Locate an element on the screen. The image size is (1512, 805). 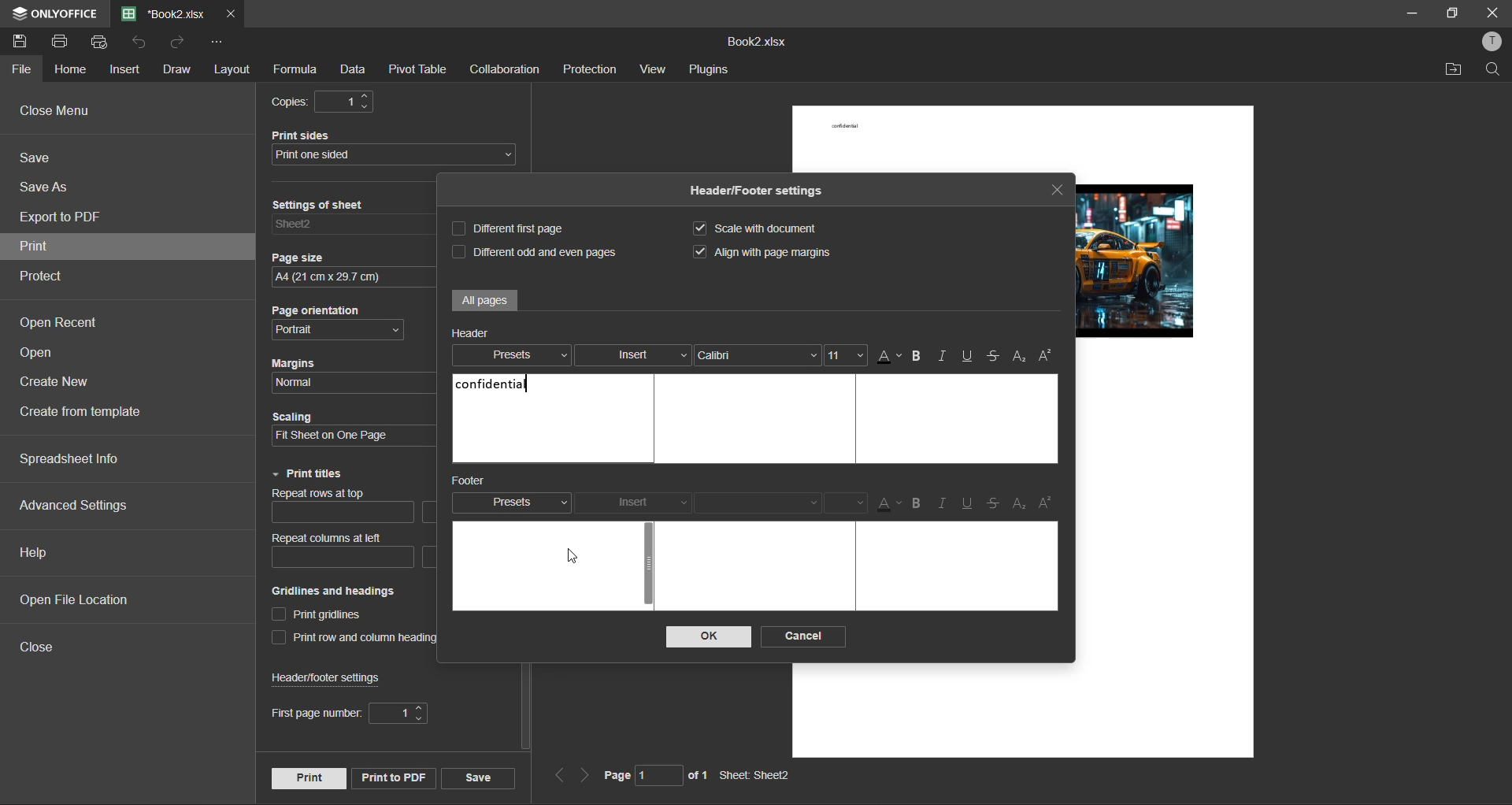
protection is located at coordinates (590, 69).